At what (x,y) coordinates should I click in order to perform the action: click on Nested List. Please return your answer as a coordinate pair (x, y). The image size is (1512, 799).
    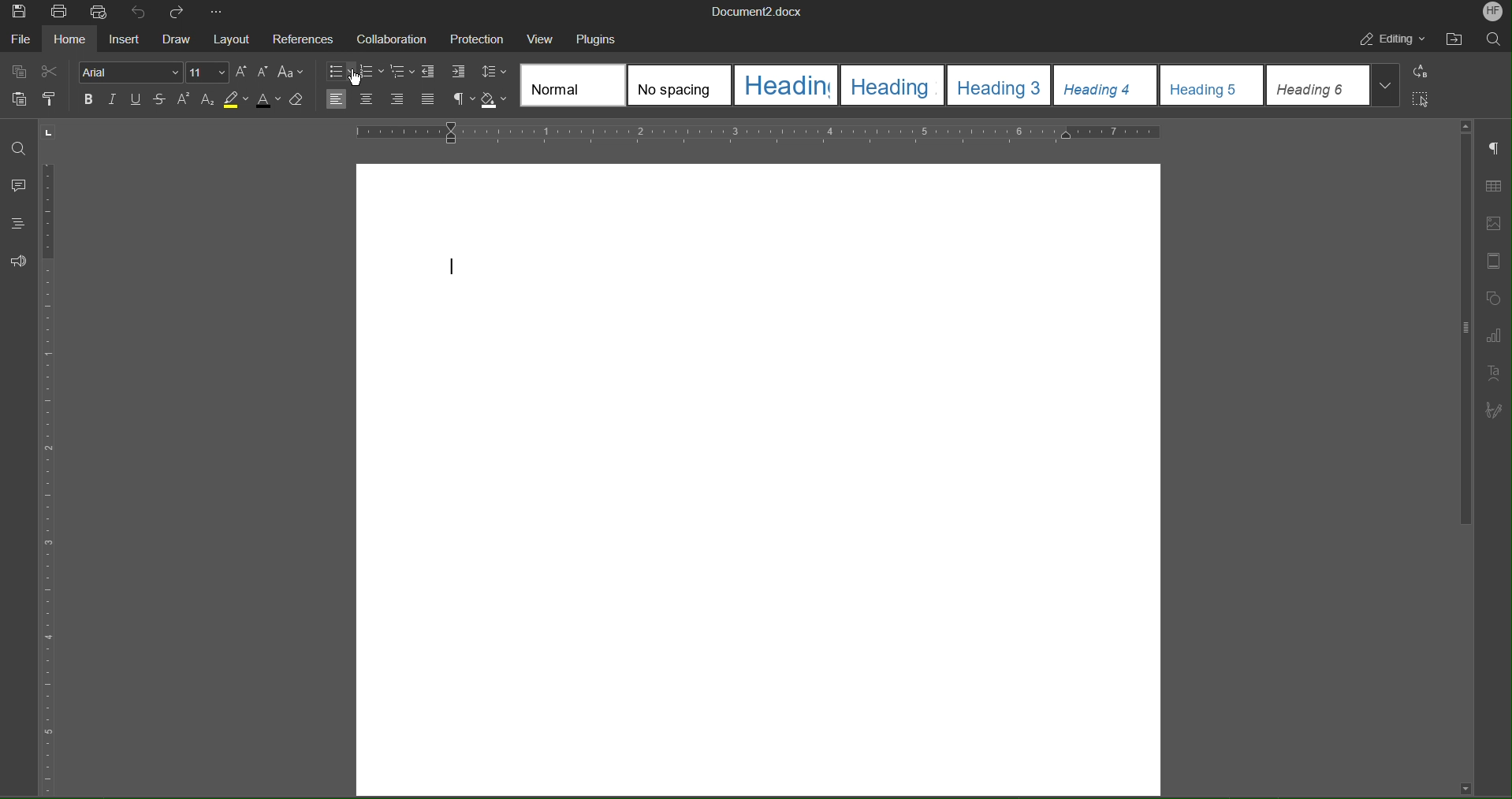
    Looking at the image, I should click on (403, 70).